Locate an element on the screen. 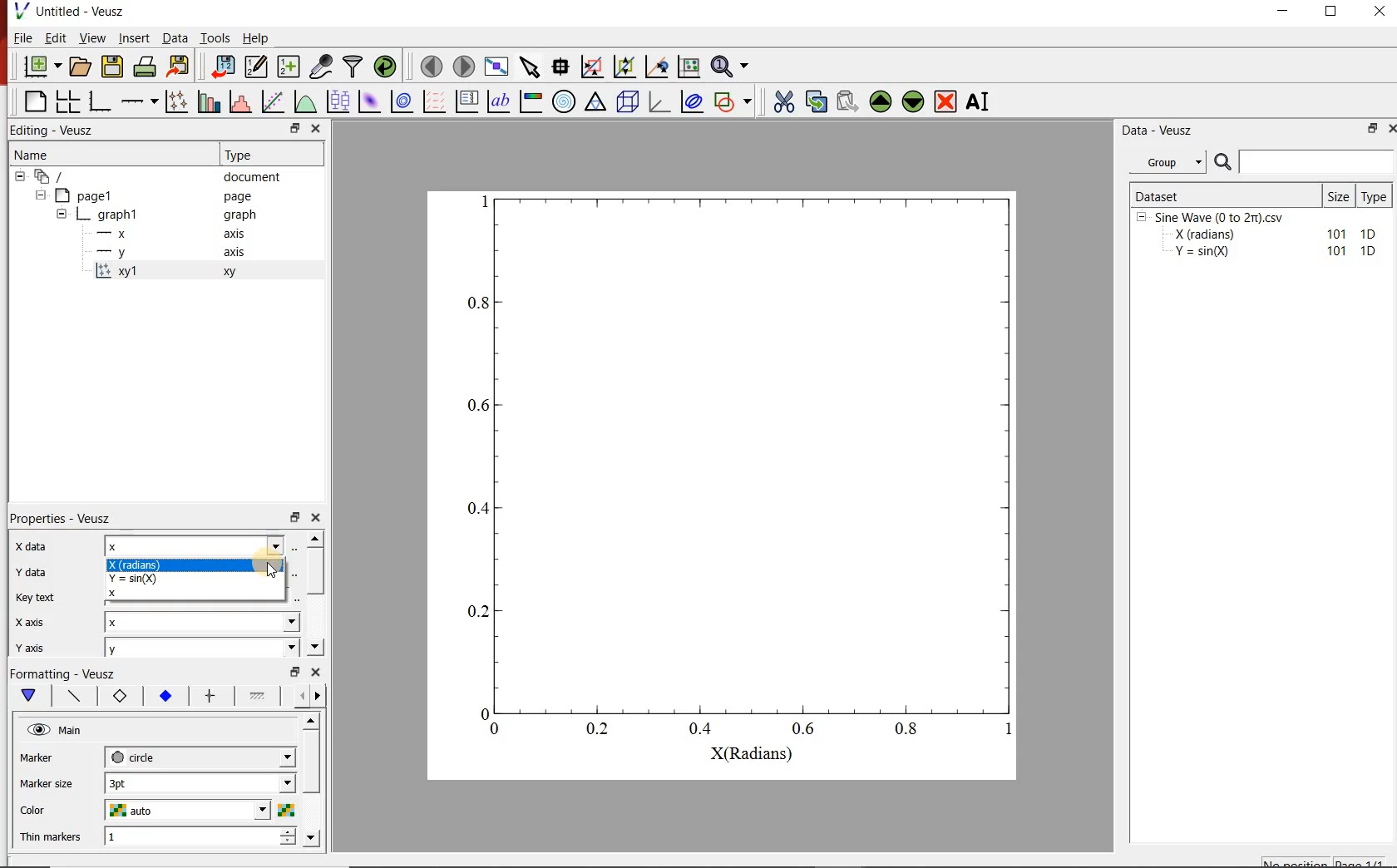  move down is located at coordinates (914, 103).